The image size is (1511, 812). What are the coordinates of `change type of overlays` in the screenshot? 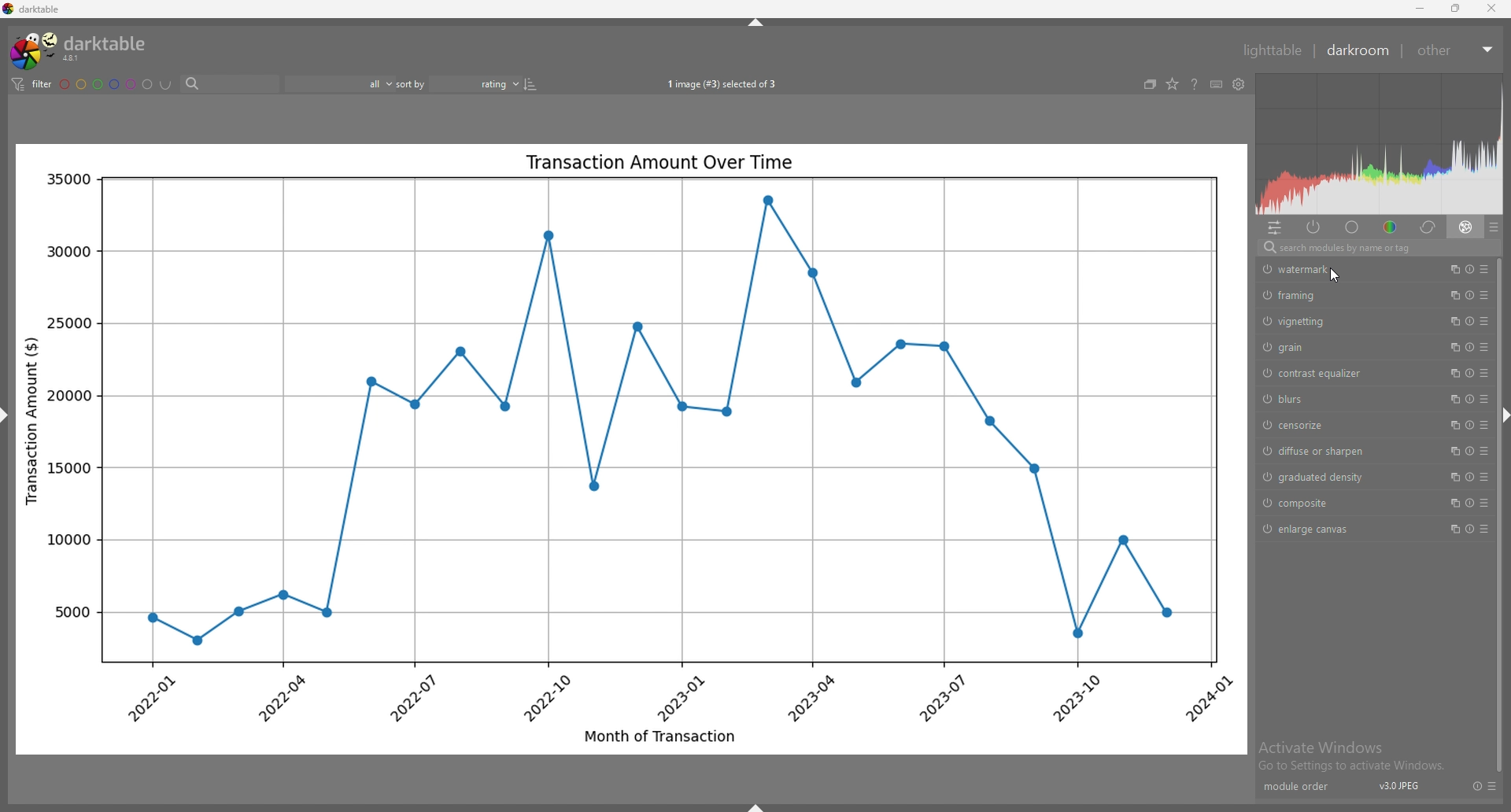 It's located at (1173, 85).